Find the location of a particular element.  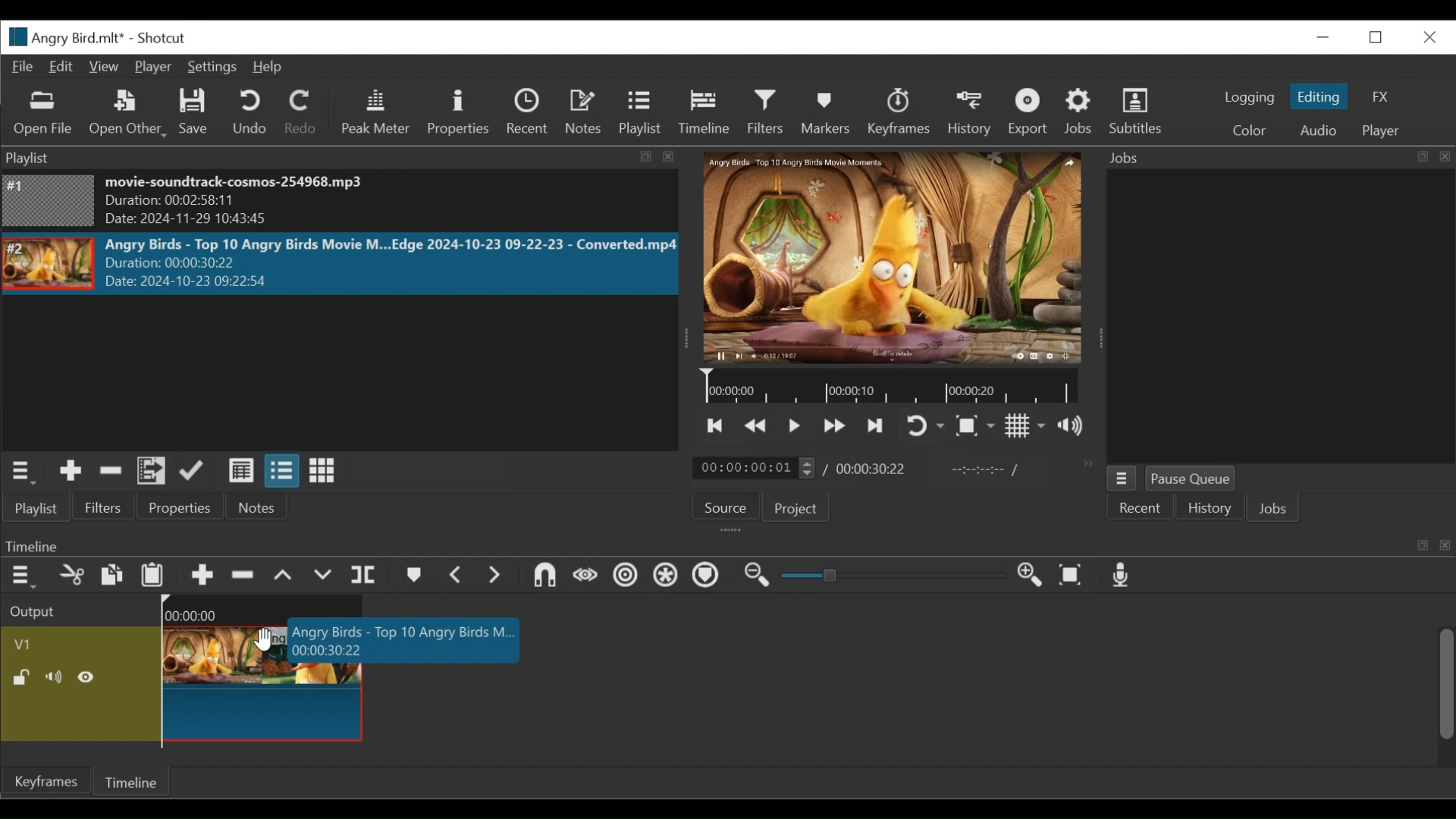

Ripple Markers is located at coordinates (706, 578).